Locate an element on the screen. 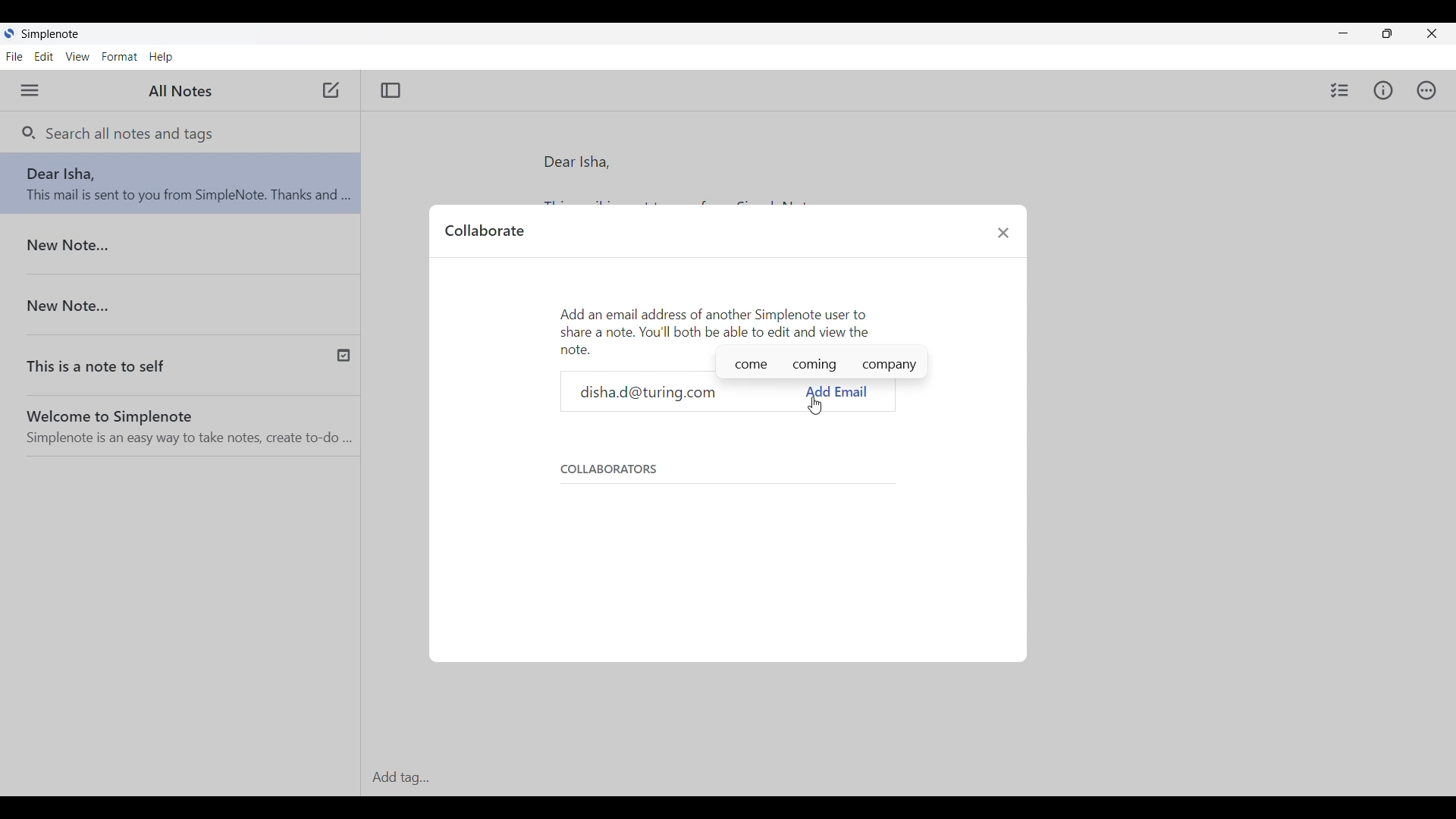 Image resolution: width=1456 pixels, height=819 pixels. disha.d@turing.com is located at coordinates (688, 392).